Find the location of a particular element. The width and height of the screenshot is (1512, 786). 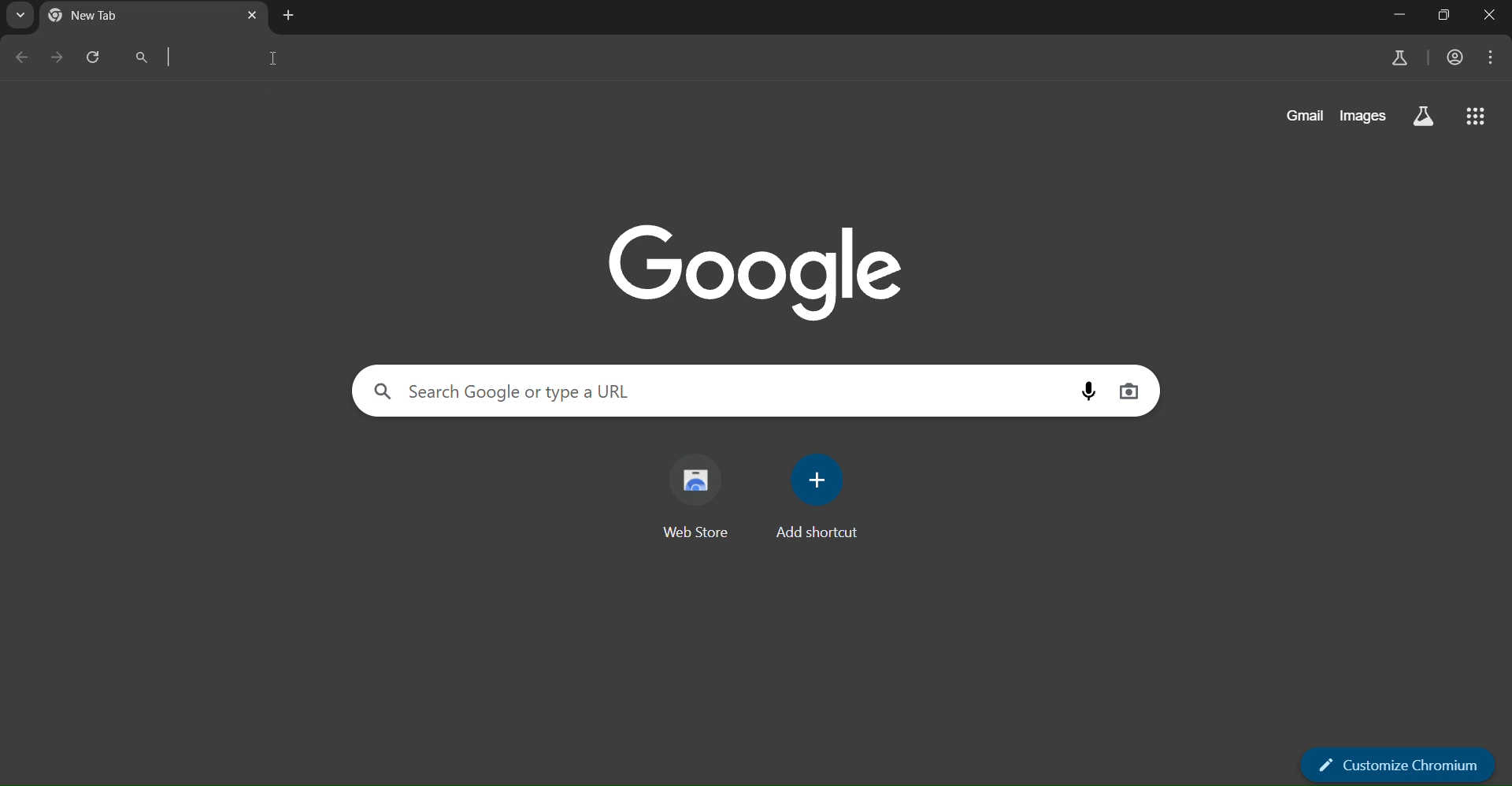

search tabs is located at coordinates (20, 15).